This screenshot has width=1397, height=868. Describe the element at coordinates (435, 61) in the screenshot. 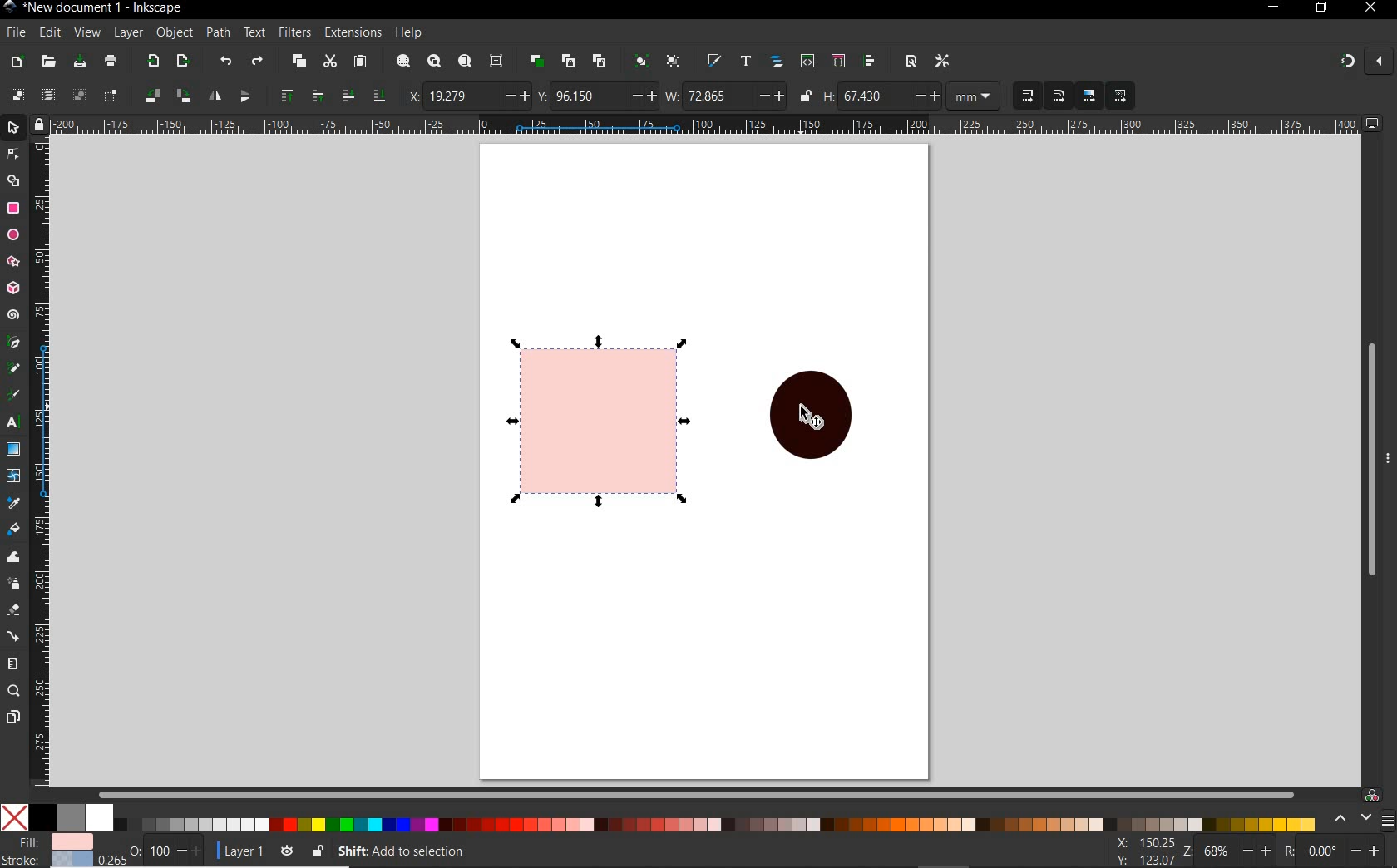

I see `zoom drawing` at that location.